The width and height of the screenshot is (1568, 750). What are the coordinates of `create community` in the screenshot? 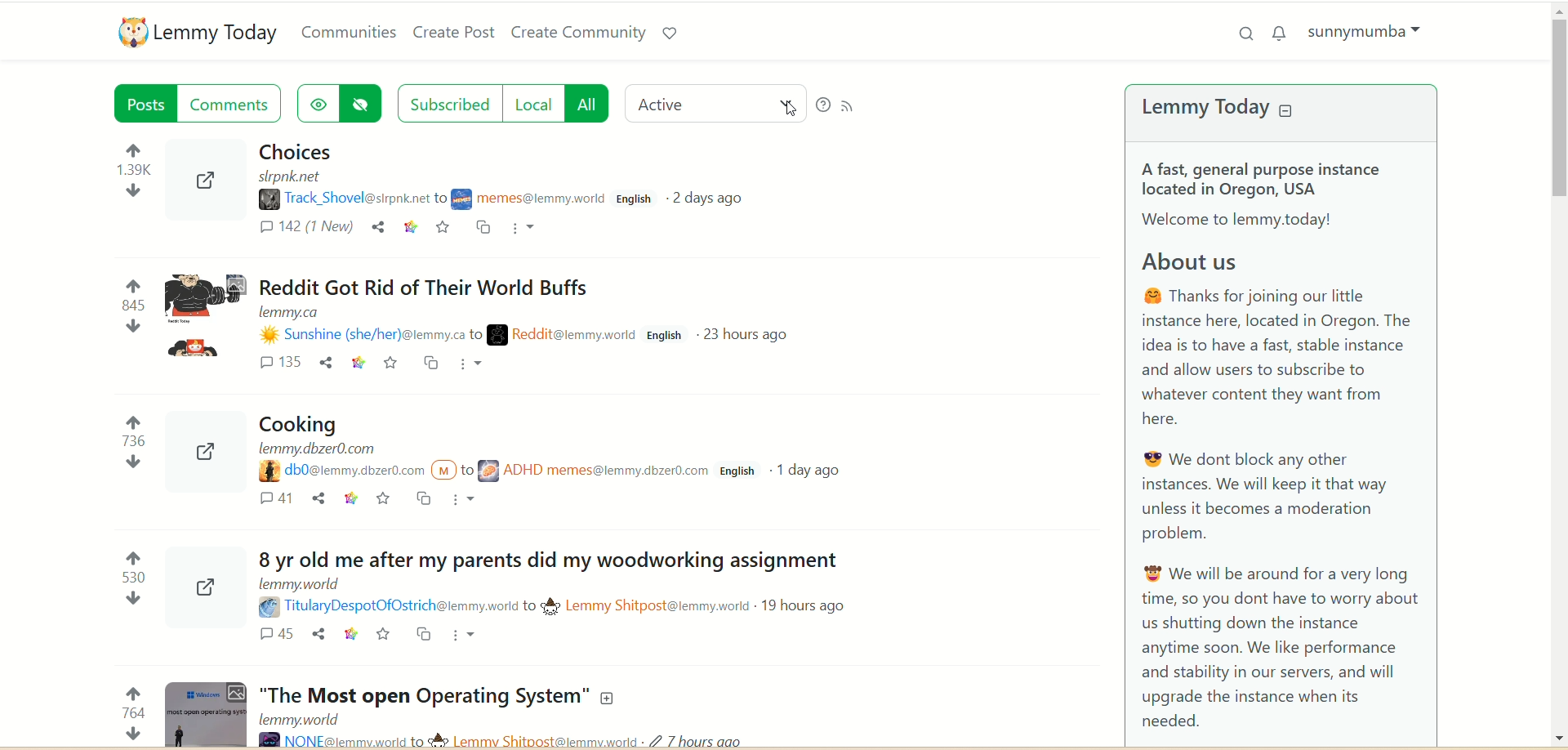 It's located at (579, 33).